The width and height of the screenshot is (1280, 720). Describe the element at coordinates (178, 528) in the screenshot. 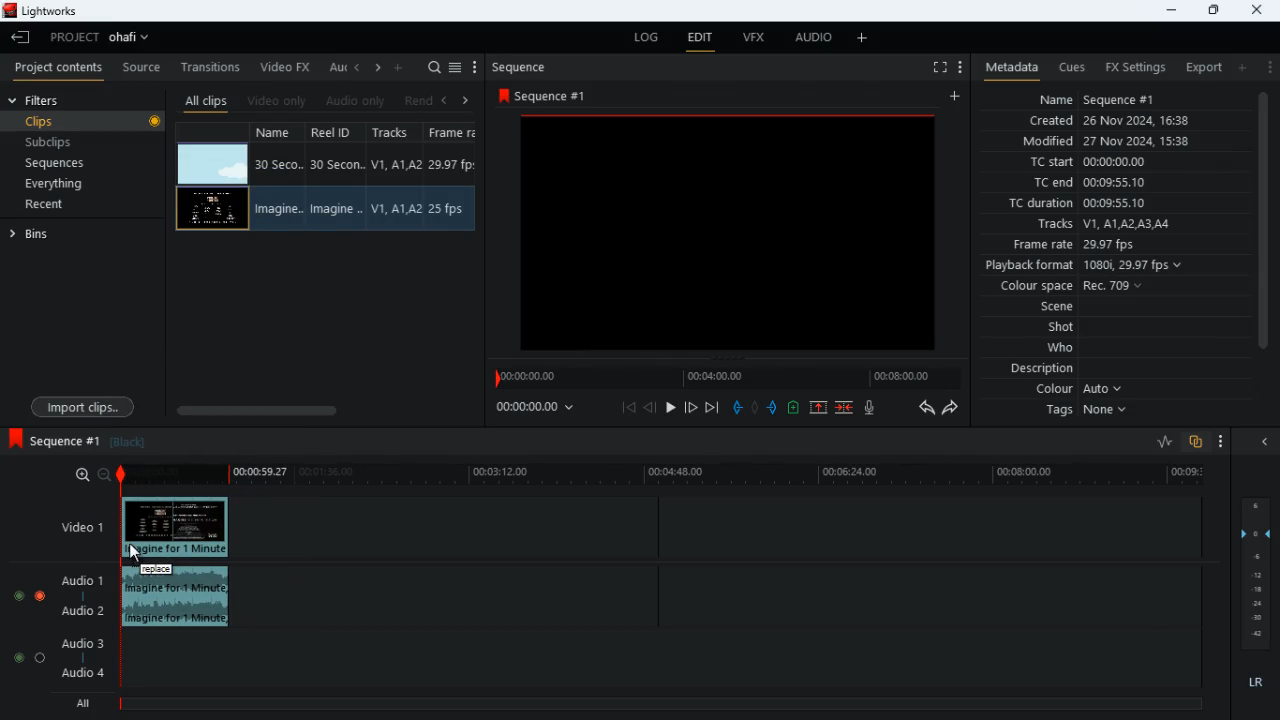

I see `video clip inserted into timeline` at that location.